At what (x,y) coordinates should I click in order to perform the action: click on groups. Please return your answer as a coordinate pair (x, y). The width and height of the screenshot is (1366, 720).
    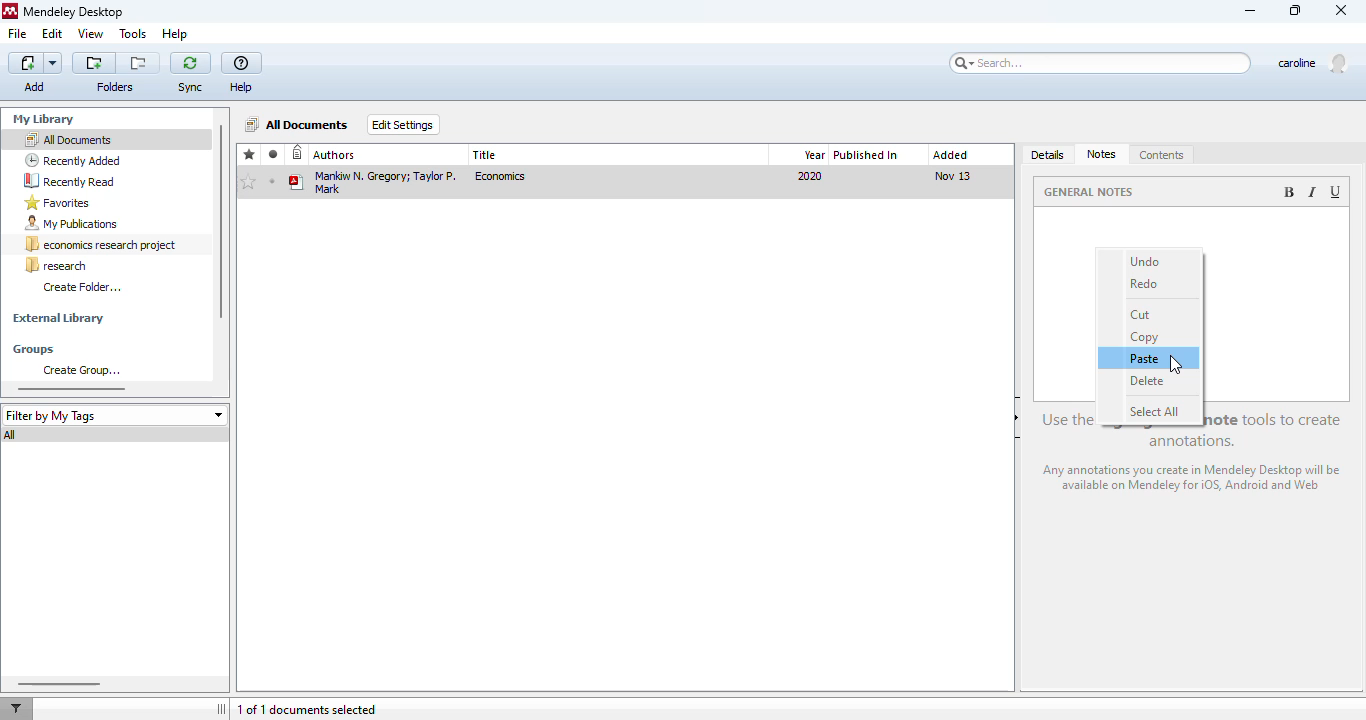
    Looking at the image, I should click on (34, 350).